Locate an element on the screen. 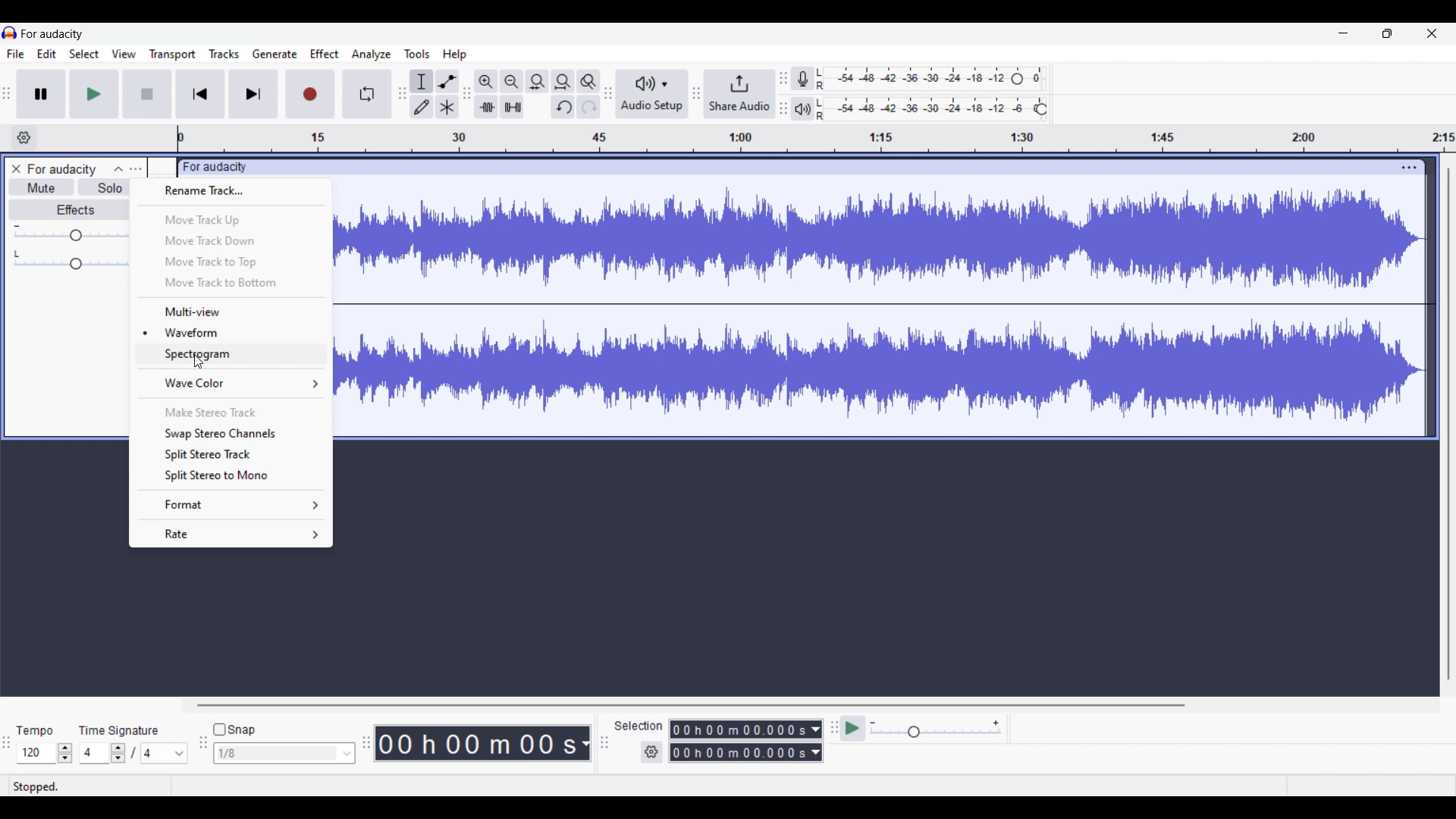 The image size is (1456, 819). Undo is located at coordinates (563, 107).